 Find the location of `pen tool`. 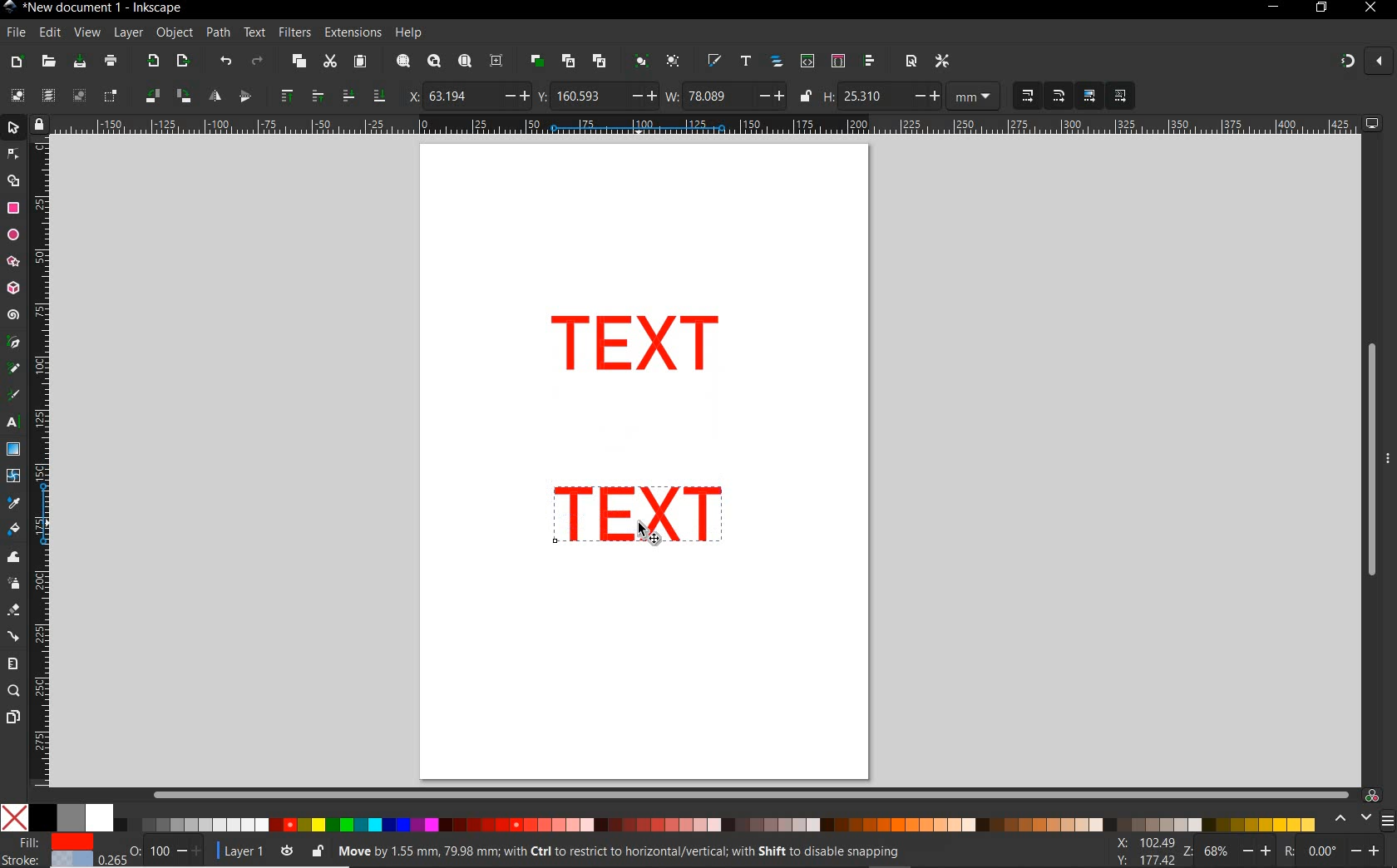

pen tool is located at coordinates (12, 343).